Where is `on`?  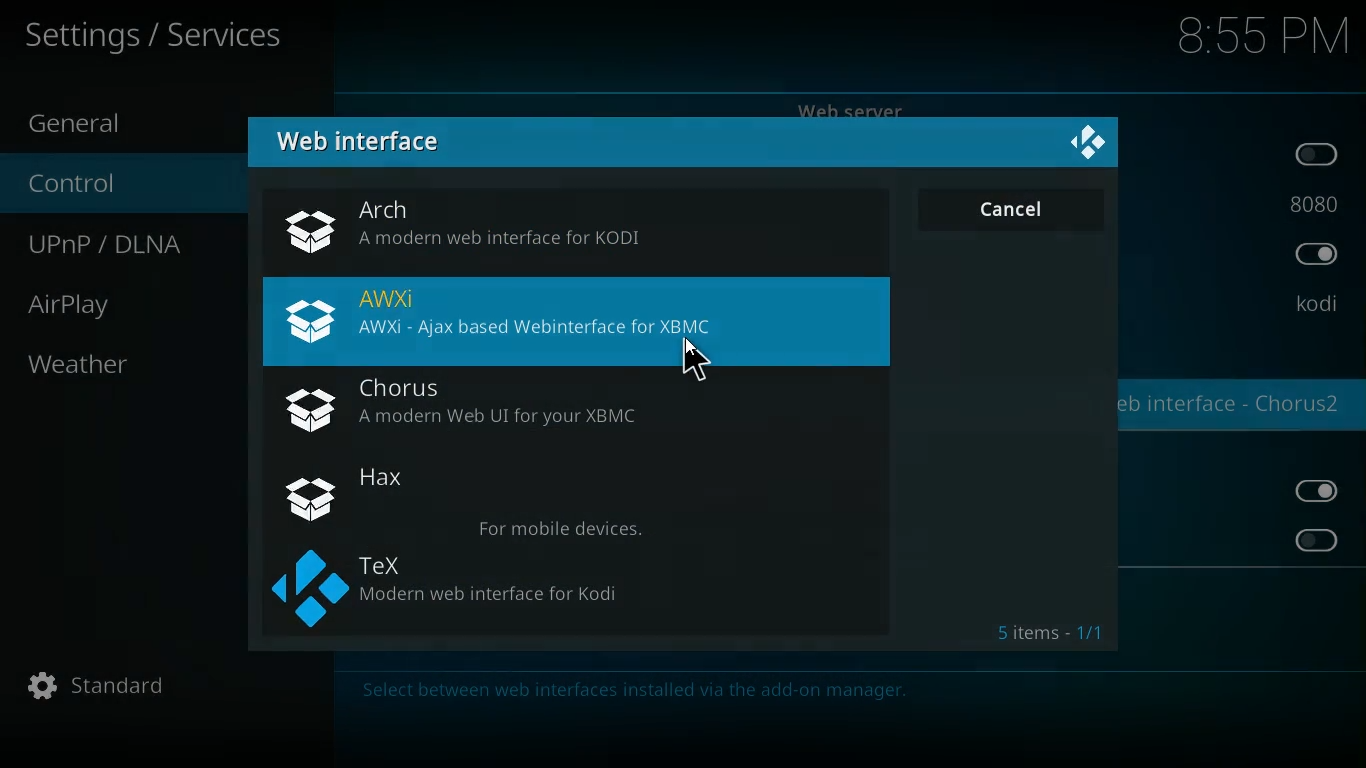
on is located at coordinates (1323, 491).